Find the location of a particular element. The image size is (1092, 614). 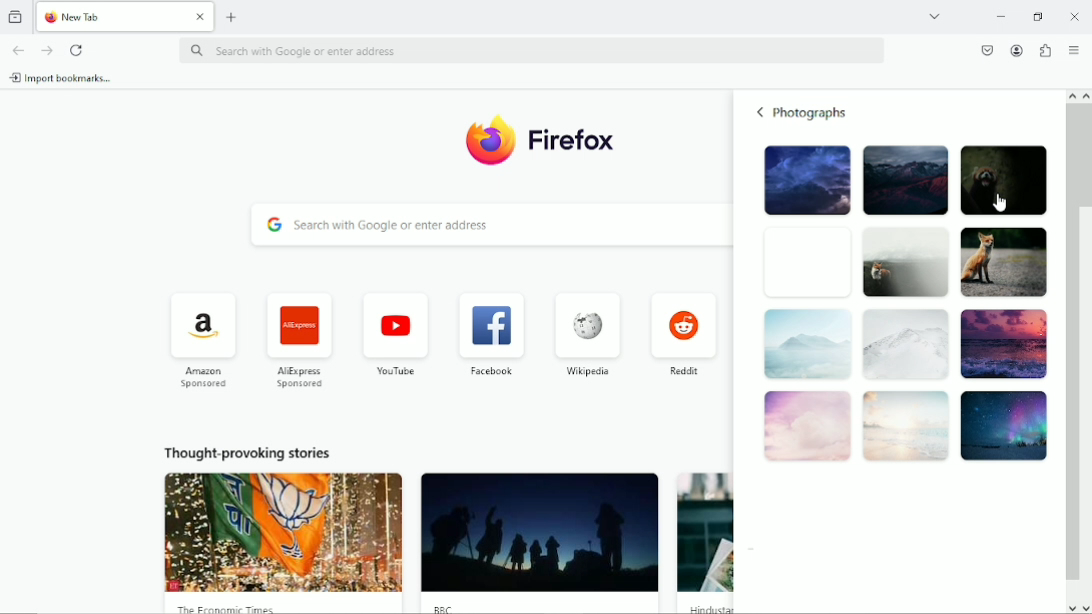

Reload current page is located at coordinates (76, 50).